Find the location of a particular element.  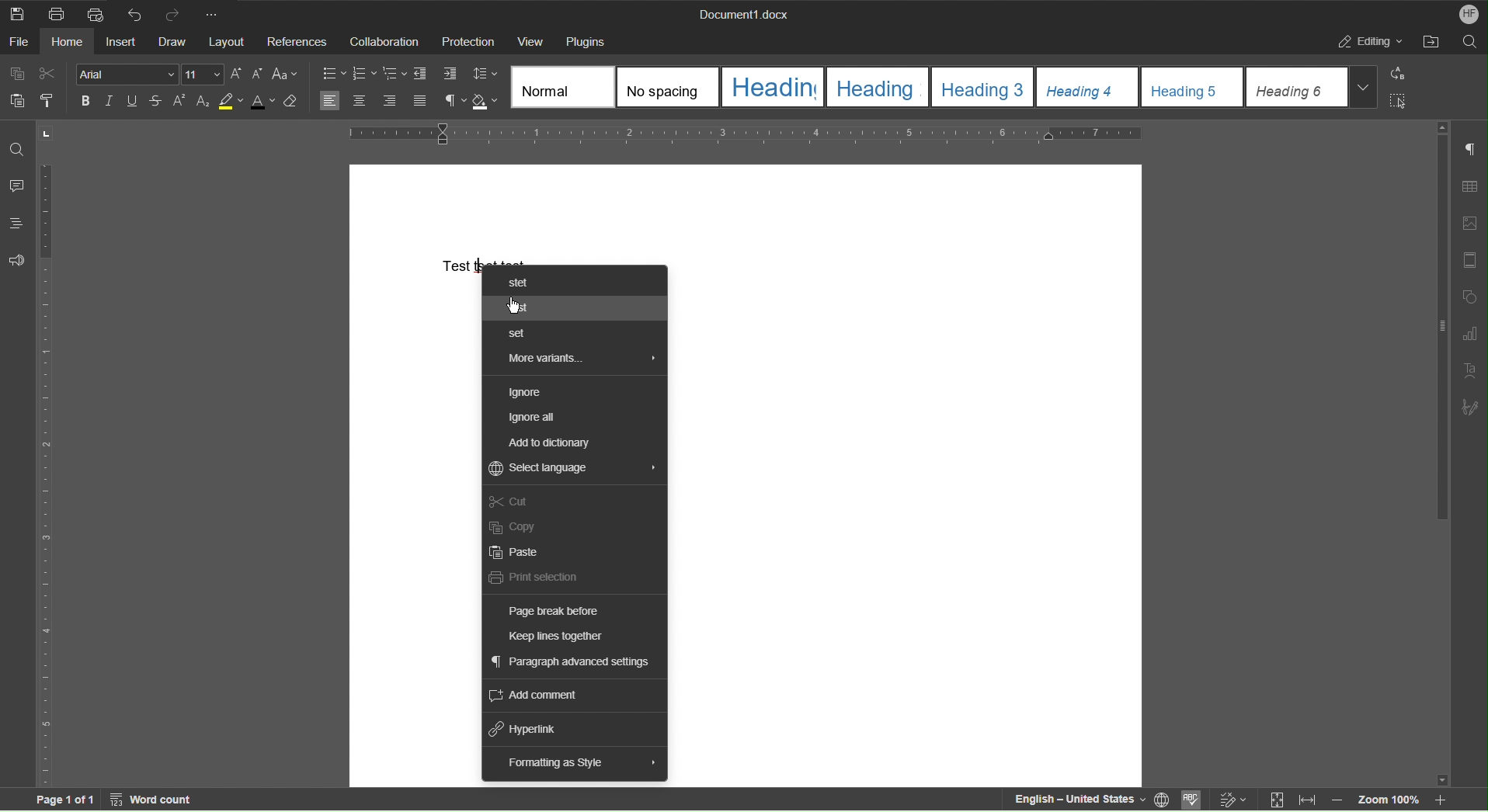

Left Align is located at coordinates (330, 101).